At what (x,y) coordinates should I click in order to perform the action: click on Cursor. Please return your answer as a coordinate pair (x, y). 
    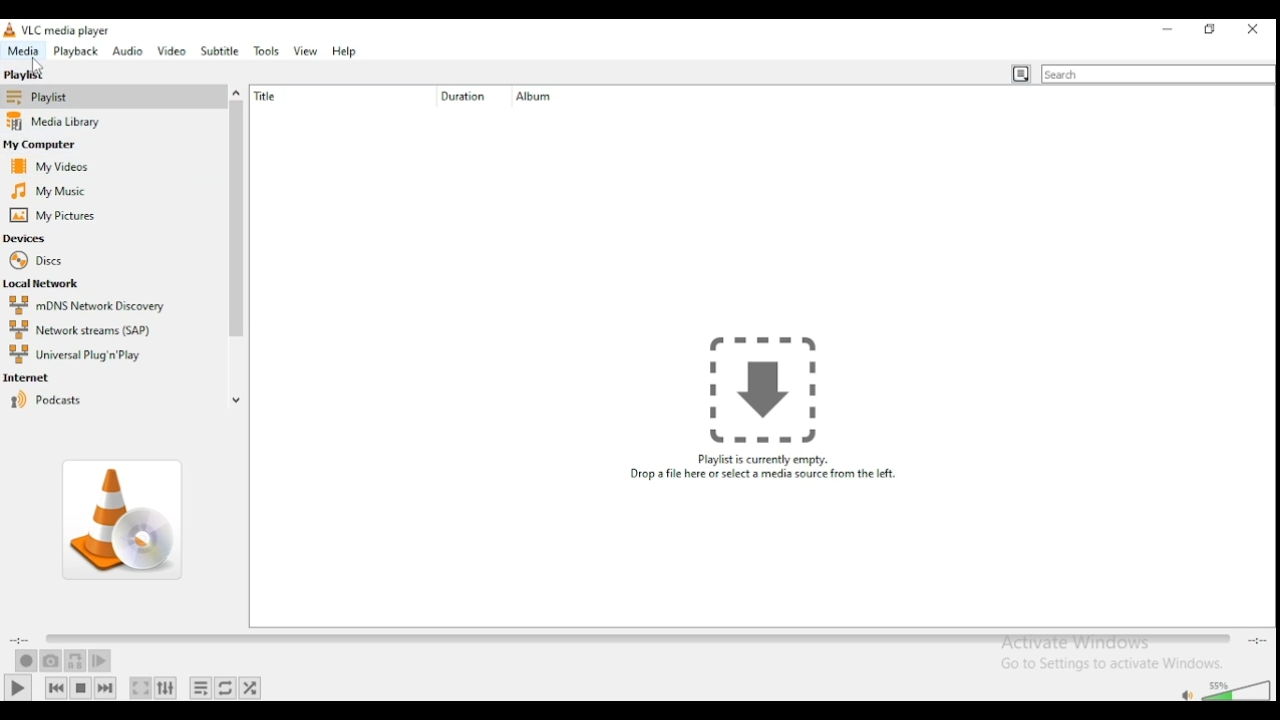
    Looking at the image, I should click on (39, 66).